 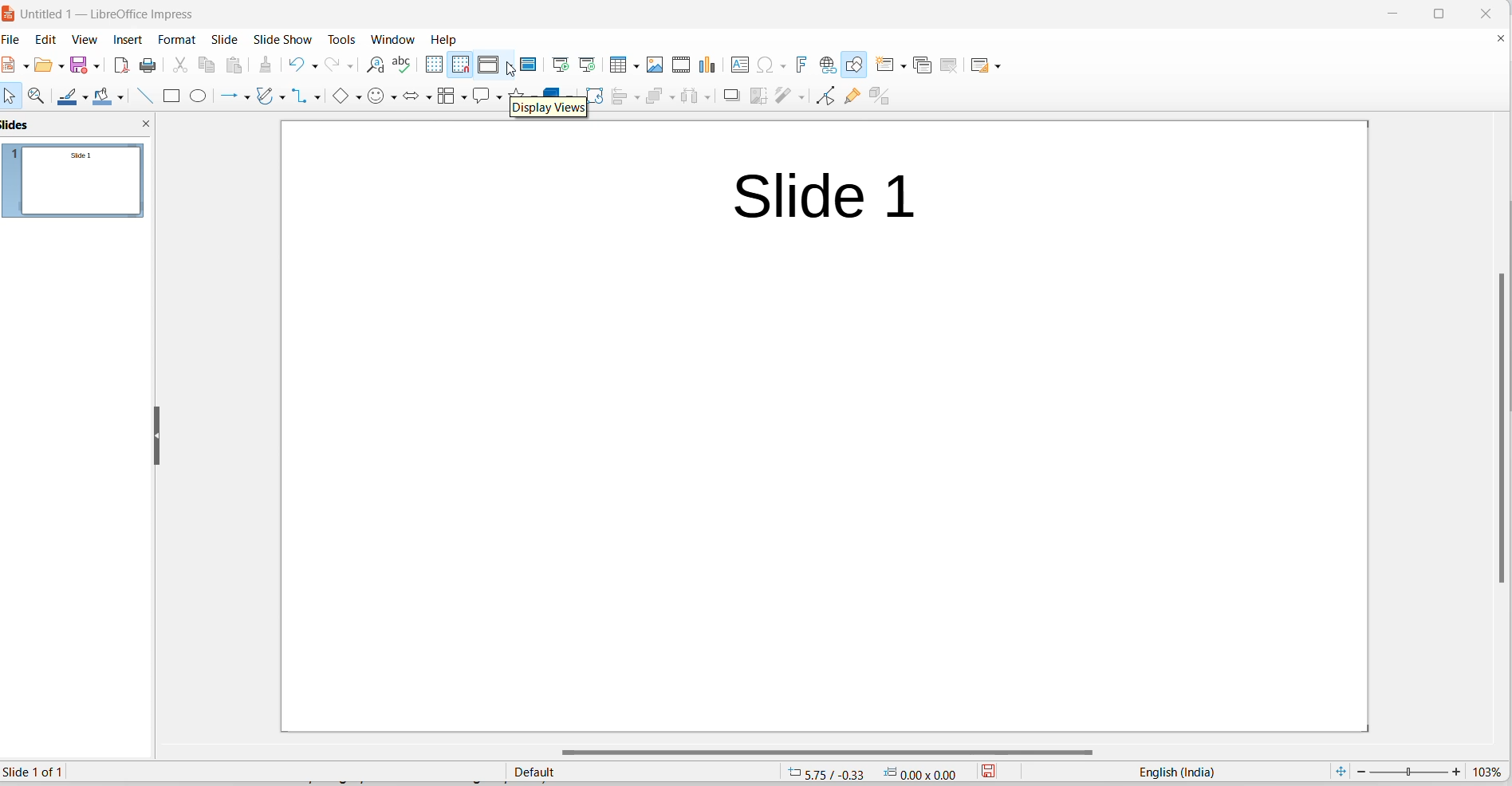 I want to click on close, so click(x=1391, y=14).